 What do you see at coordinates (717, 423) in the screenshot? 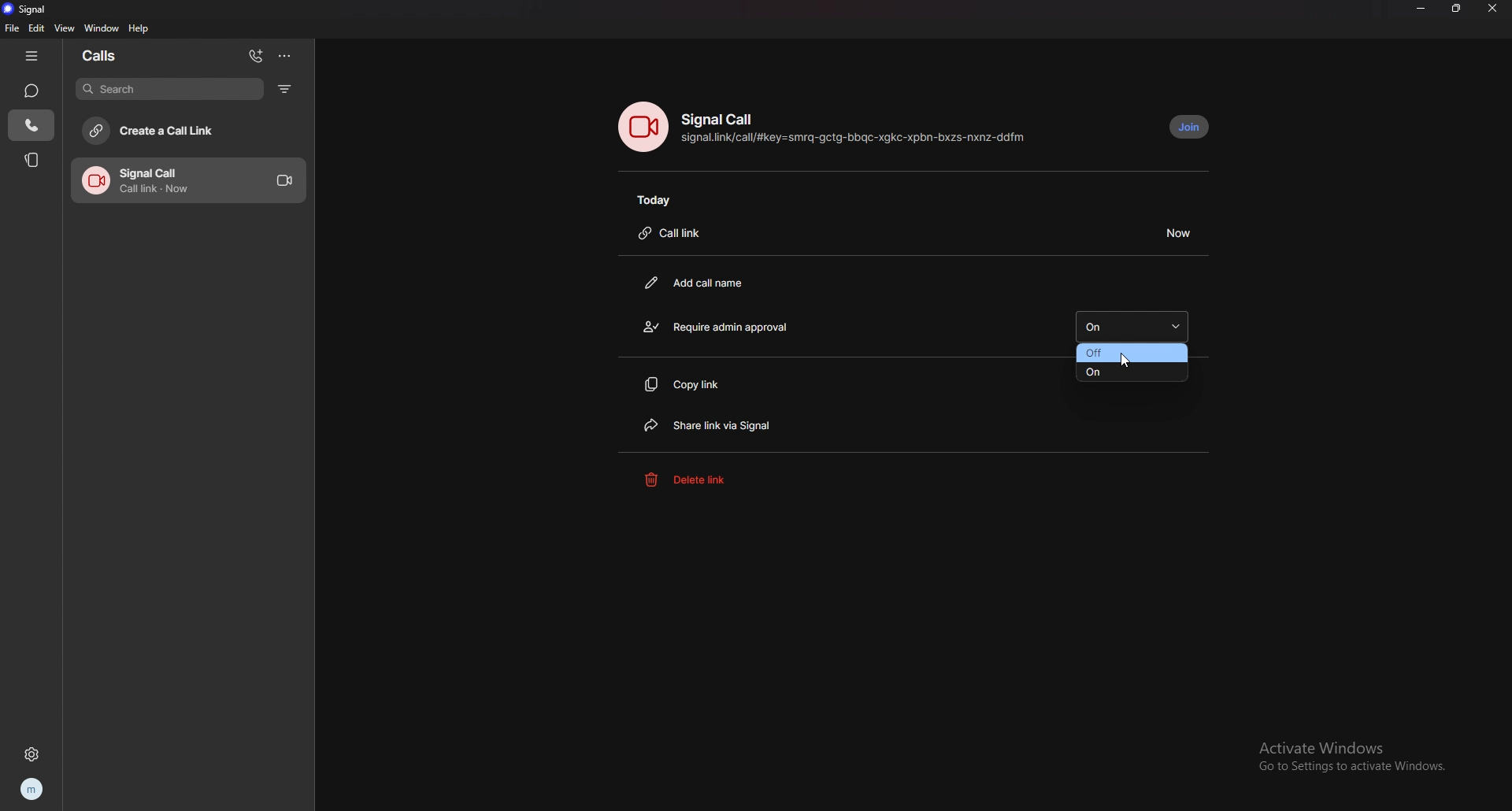
I see `share link via signal` at bounding box center [717, 423].